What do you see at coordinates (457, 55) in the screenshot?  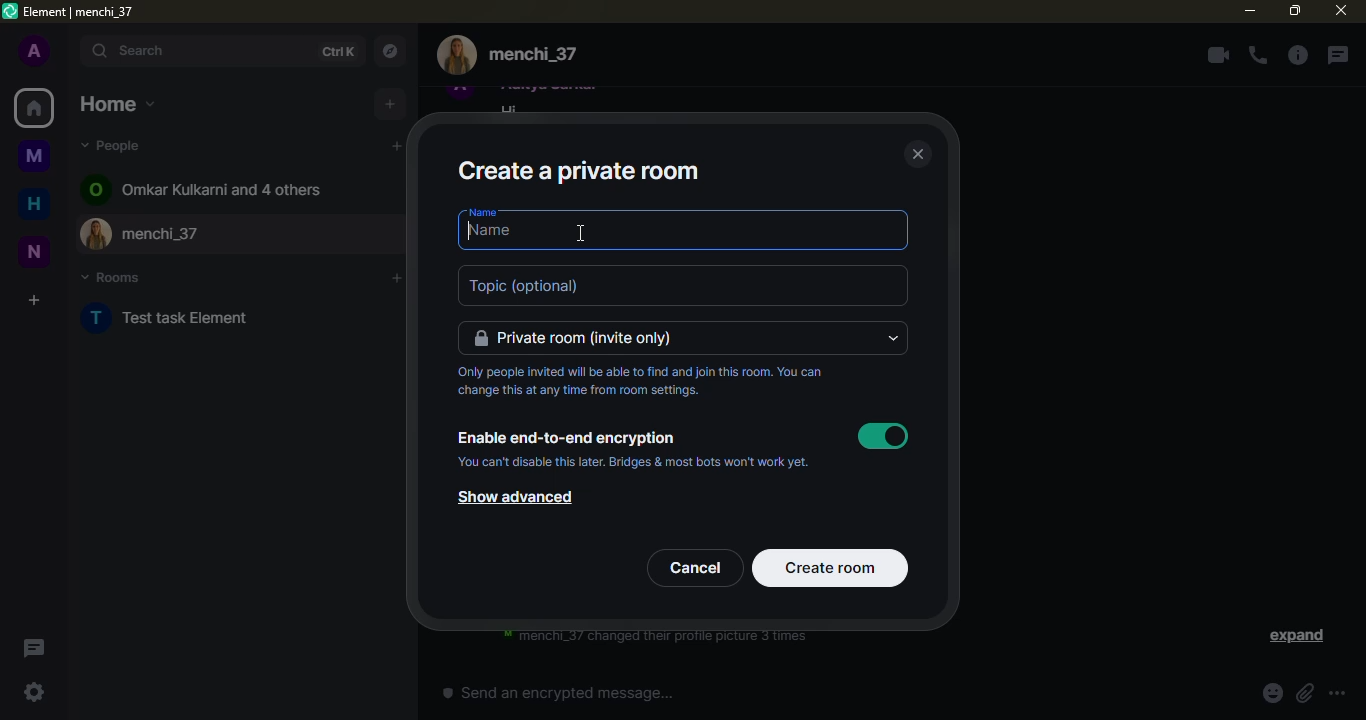 I see `Current profile picture` at bounding box center [457, 55].